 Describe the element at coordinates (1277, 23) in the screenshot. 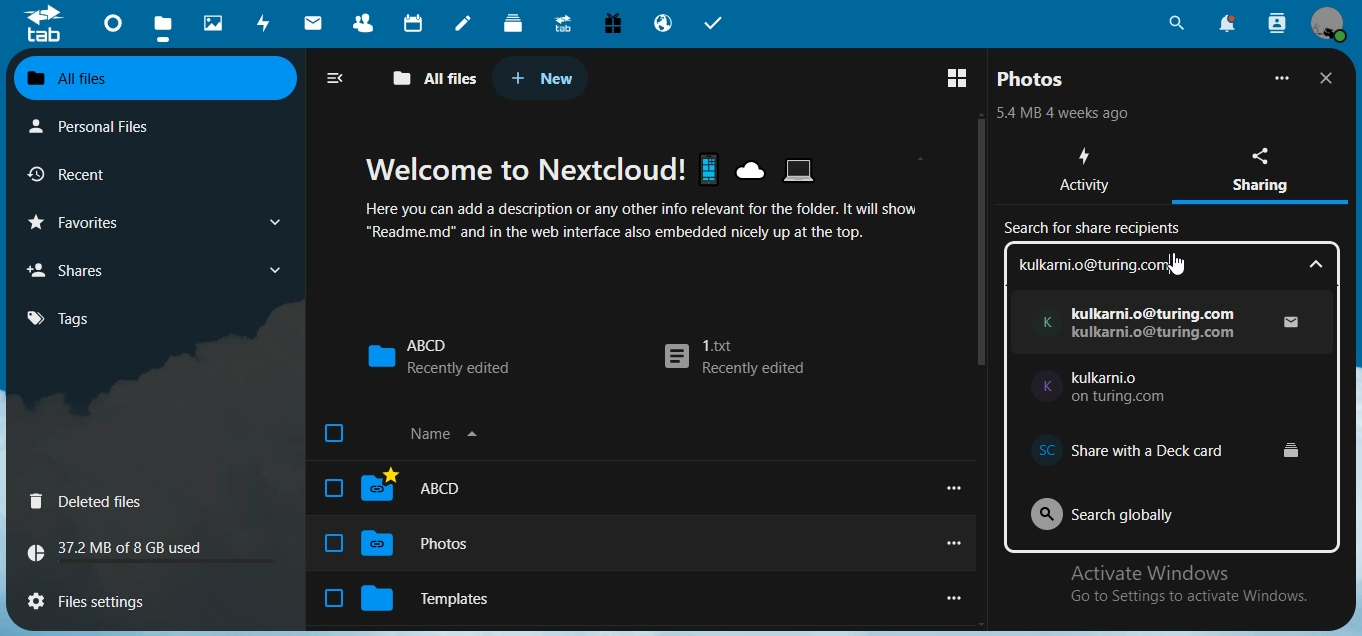

I see `search contacts` at that location.